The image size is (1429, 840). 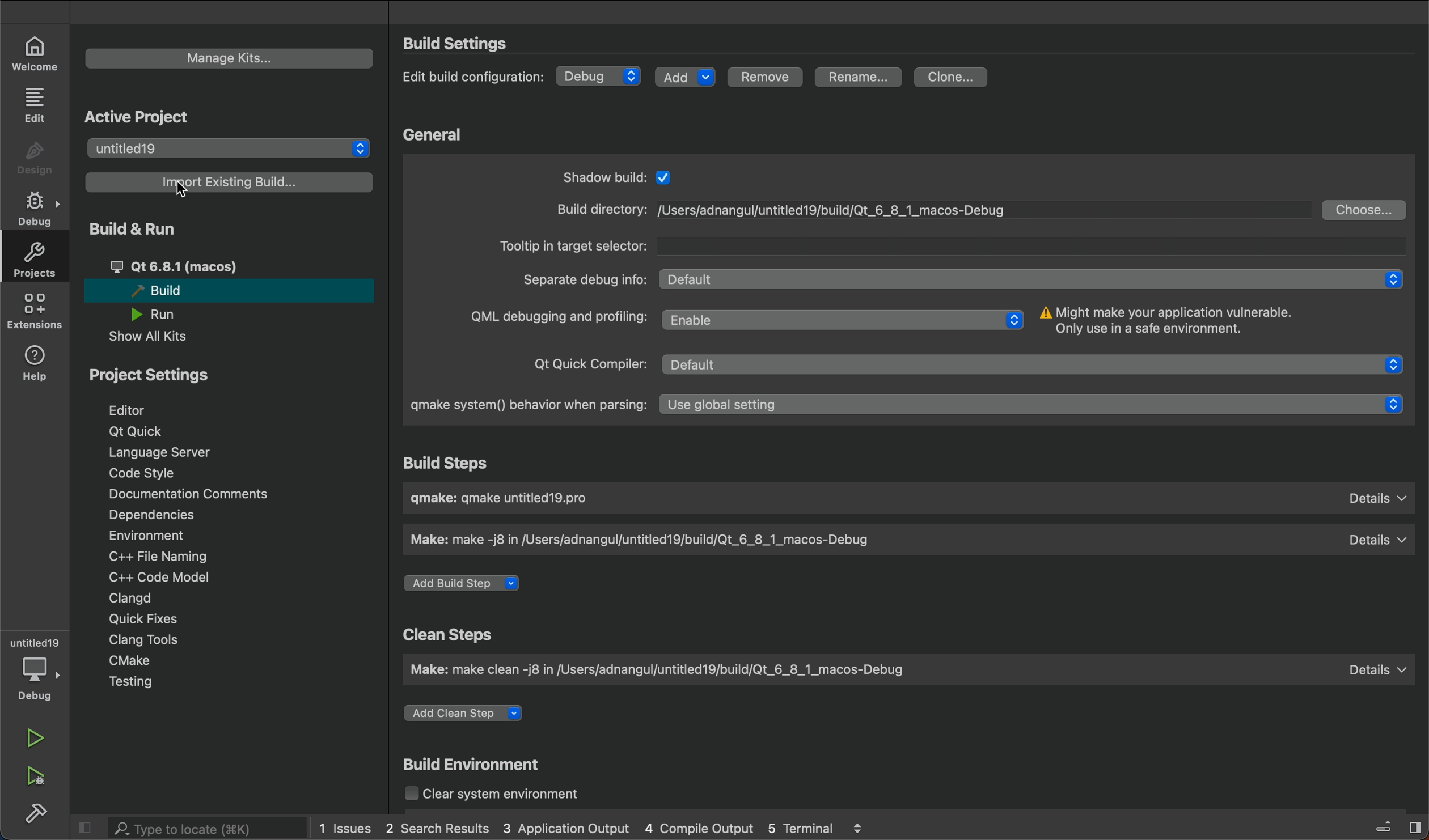 What do you see at coordinates (162, 535) in the screenshot?
I see `Environment ` at bounding box center [162, 535].